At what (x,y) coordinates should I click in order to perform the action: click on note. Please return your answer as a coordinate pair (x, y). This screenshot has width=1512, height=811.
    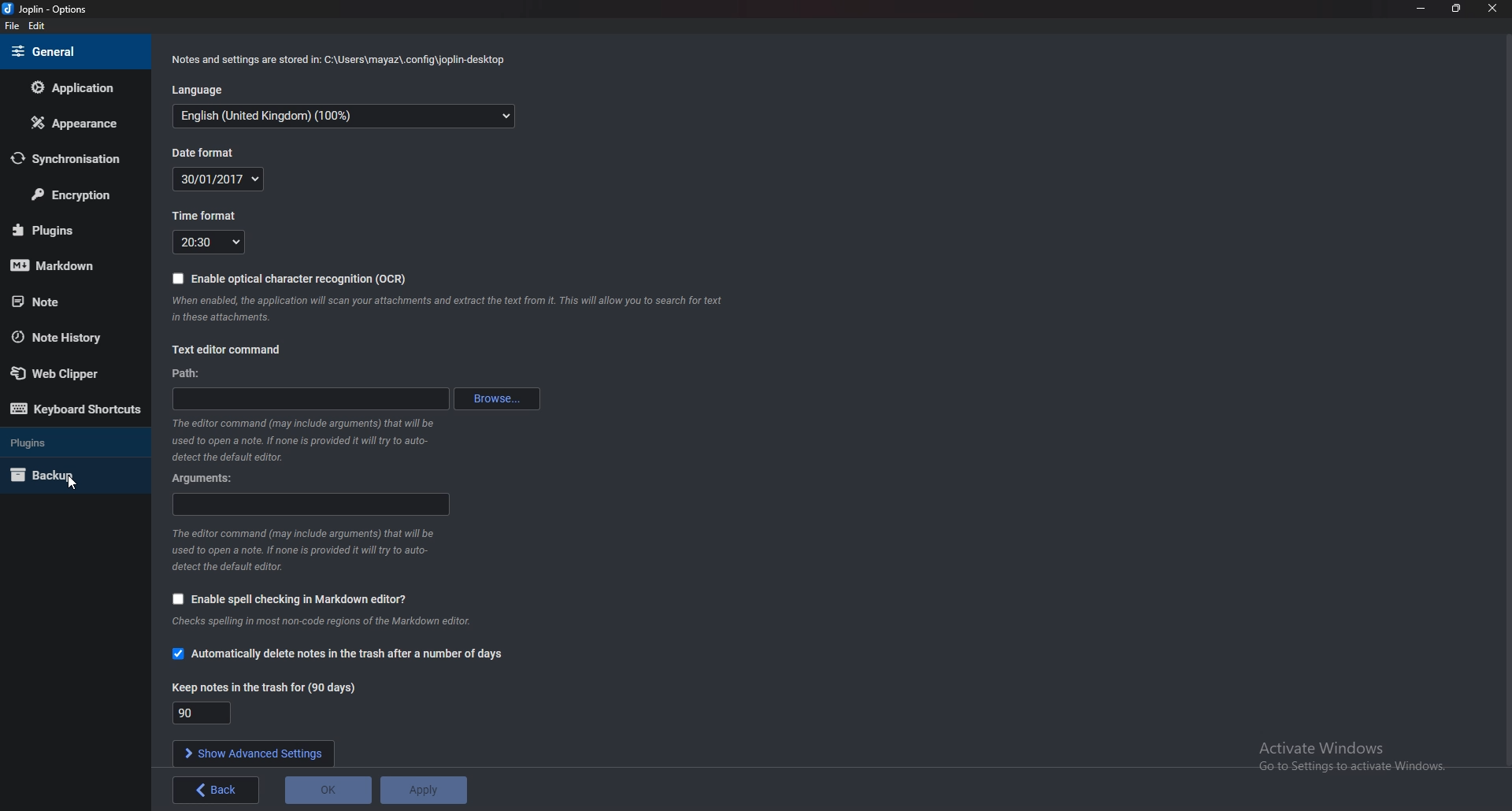
    Looking at the image, I should click on (64, 302).